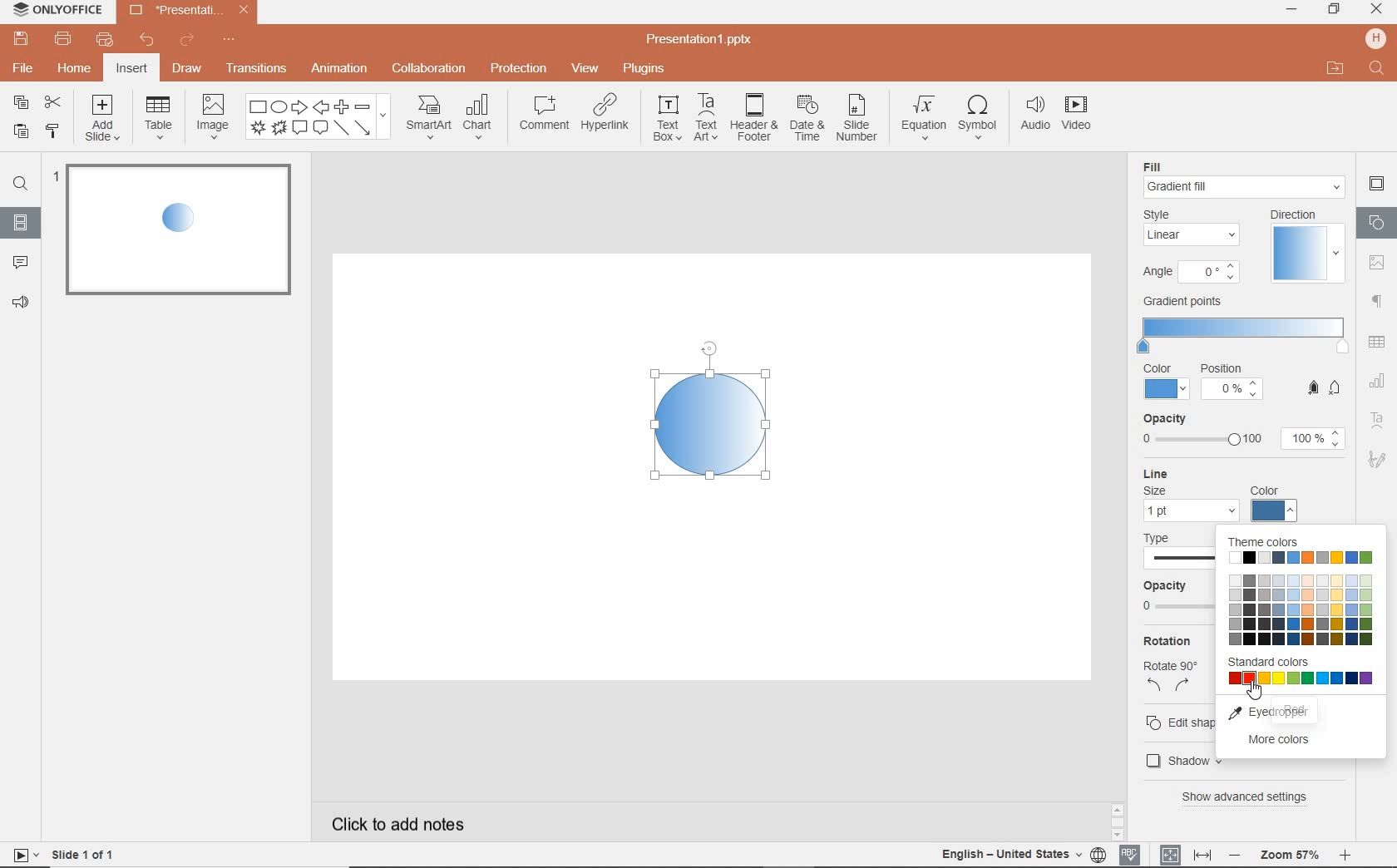 Image resolution: width=1397 pixels, height=868 pixels. I want to click on minimize, so click(1293, 9).